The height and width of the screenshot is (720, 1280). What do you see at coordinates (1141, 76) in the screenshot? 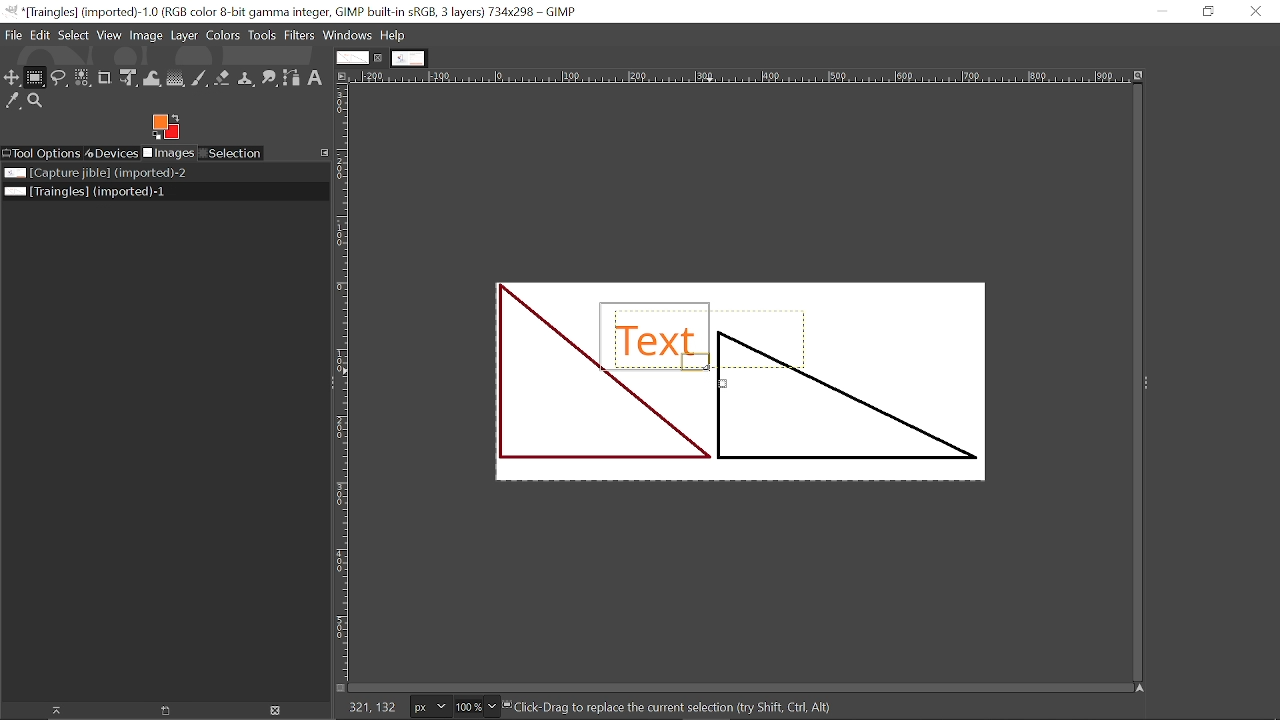
I see `Zoom when window size changes` at bounding box center [1141, 76].